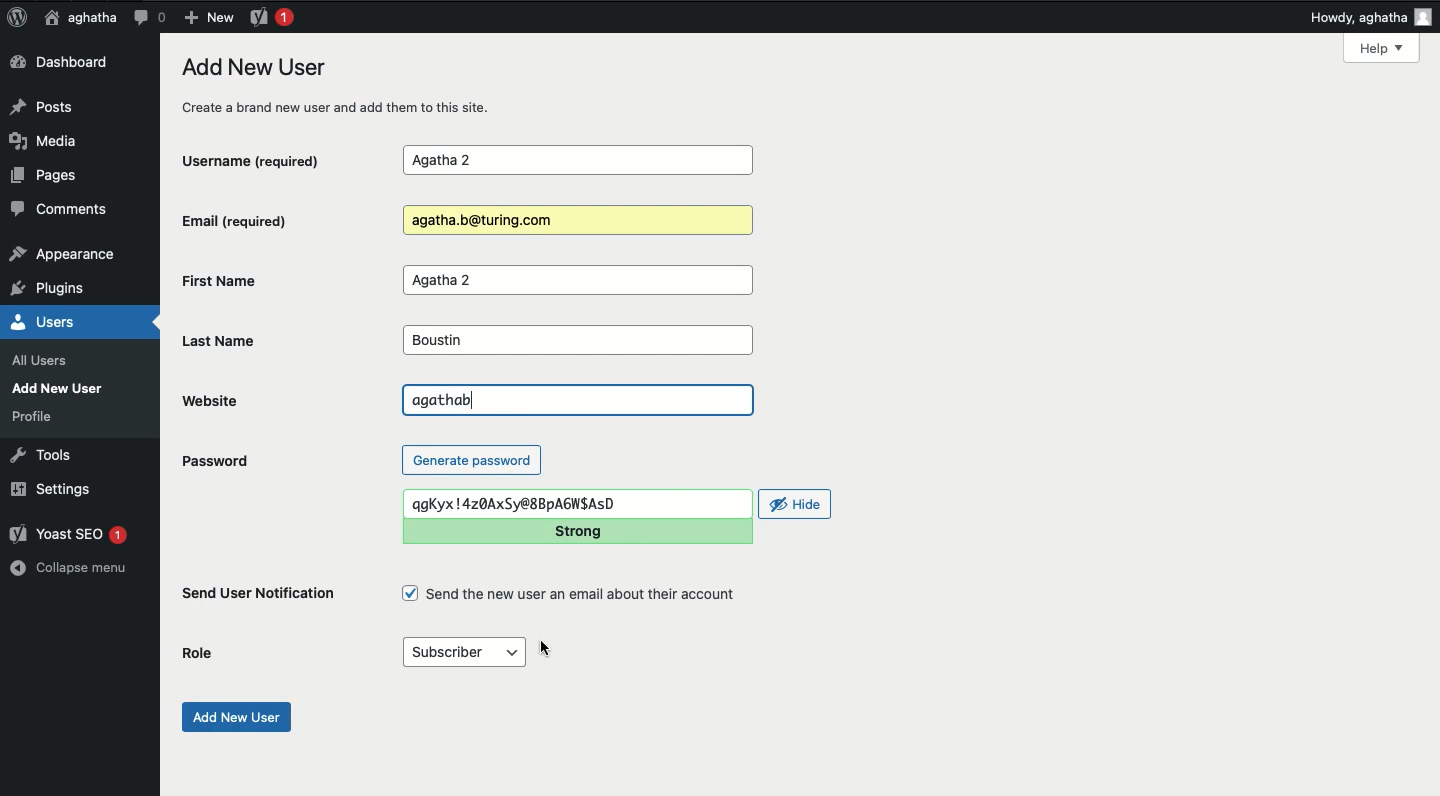 Image resolution: width=1440 pixels, height=796 pixels. I want to click on Role, so click(198, 654).